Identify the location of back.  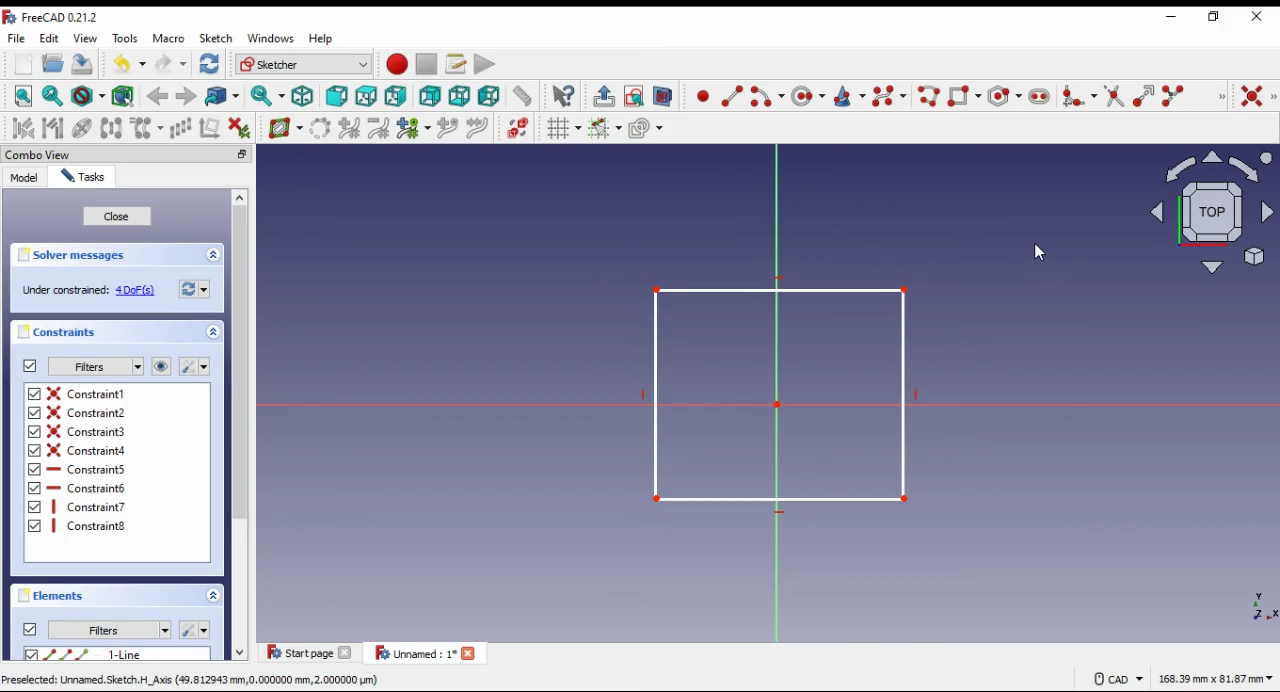
(159, 98).